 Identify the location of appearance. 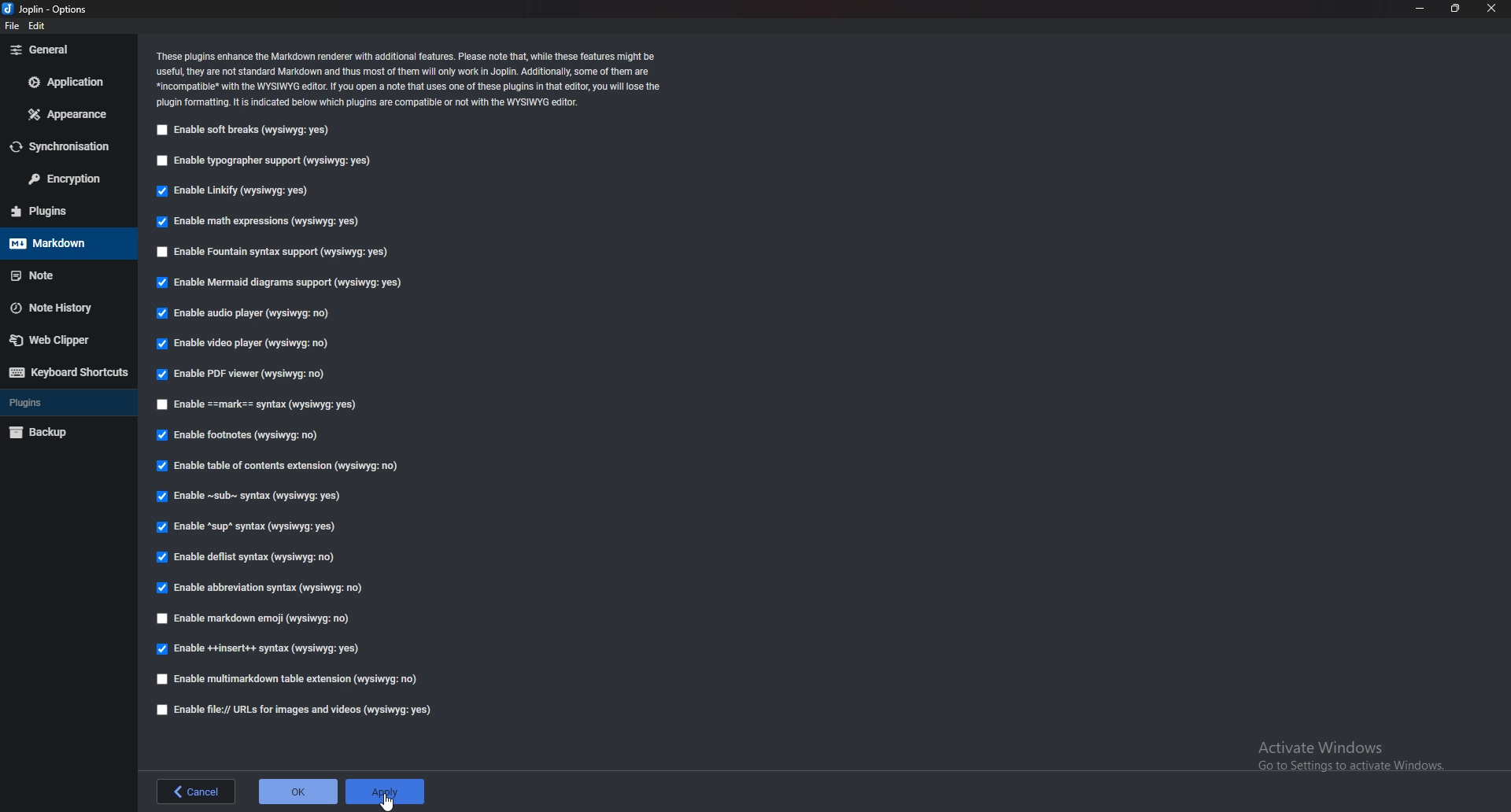
(68, 114).